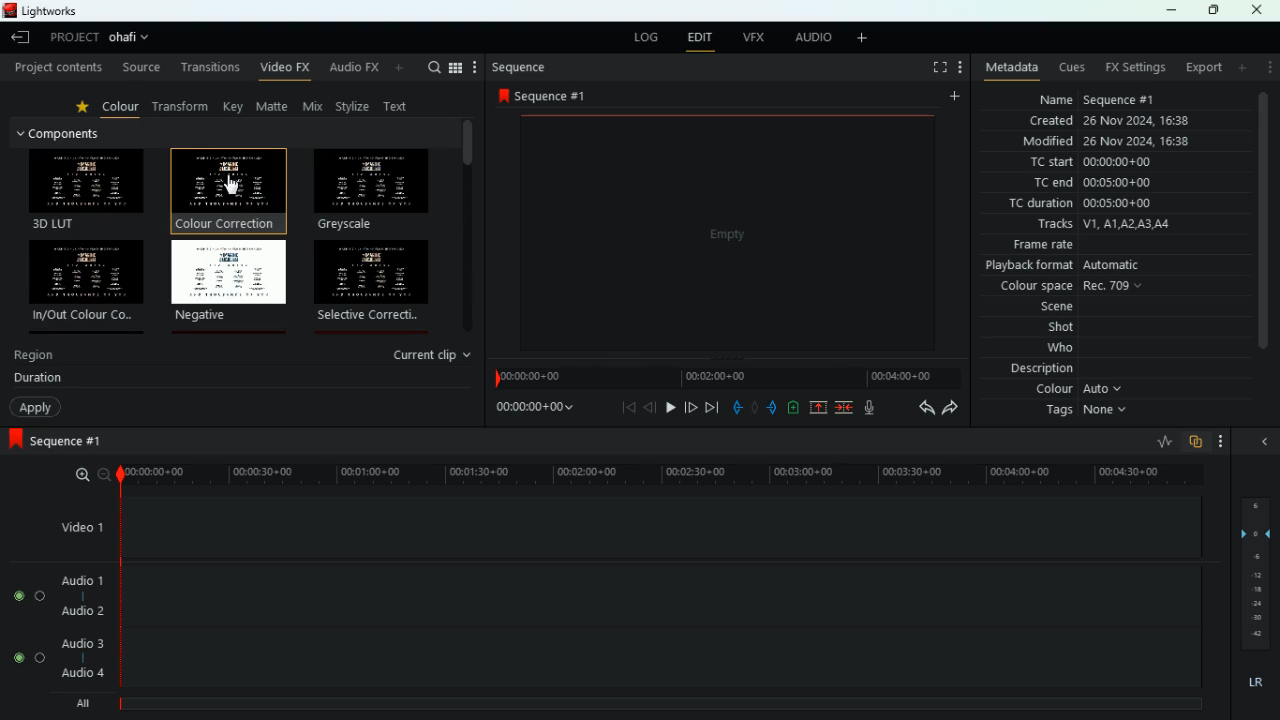  I want to click on colour, so click(1083, 392).